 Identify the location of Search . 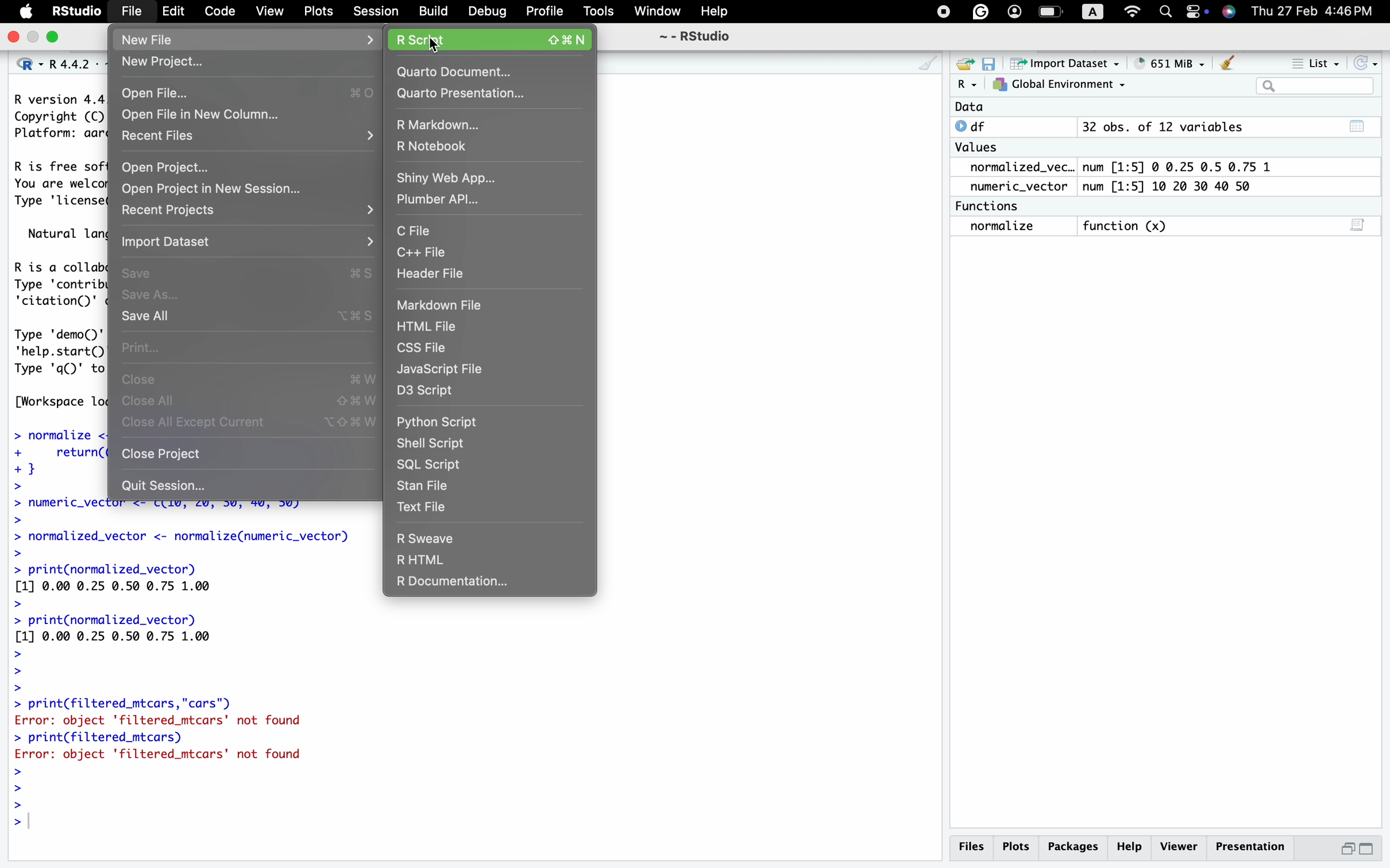
(1167, 11).